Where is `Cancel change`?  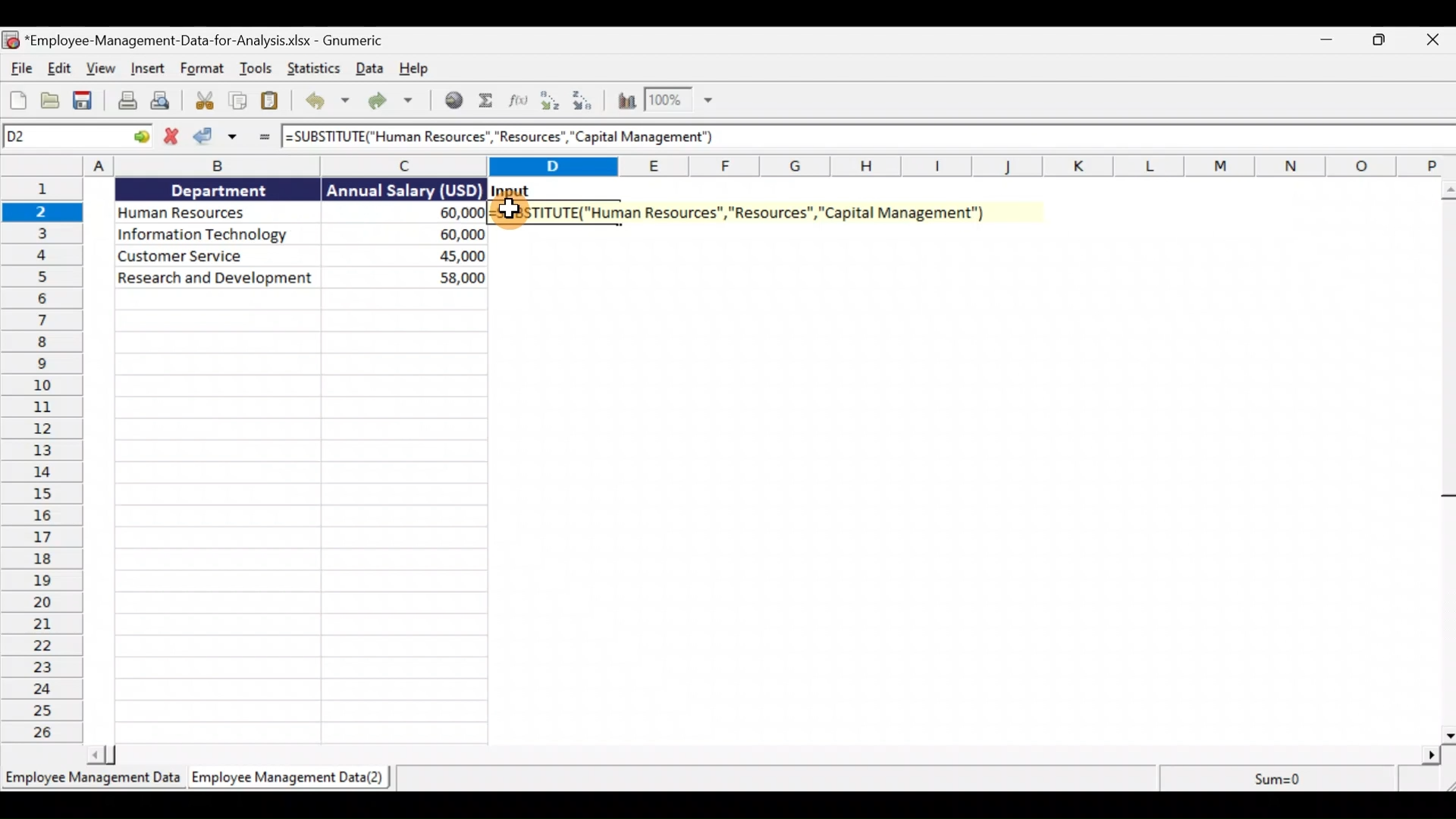
Cancel change is located at coordinates (168, 140).